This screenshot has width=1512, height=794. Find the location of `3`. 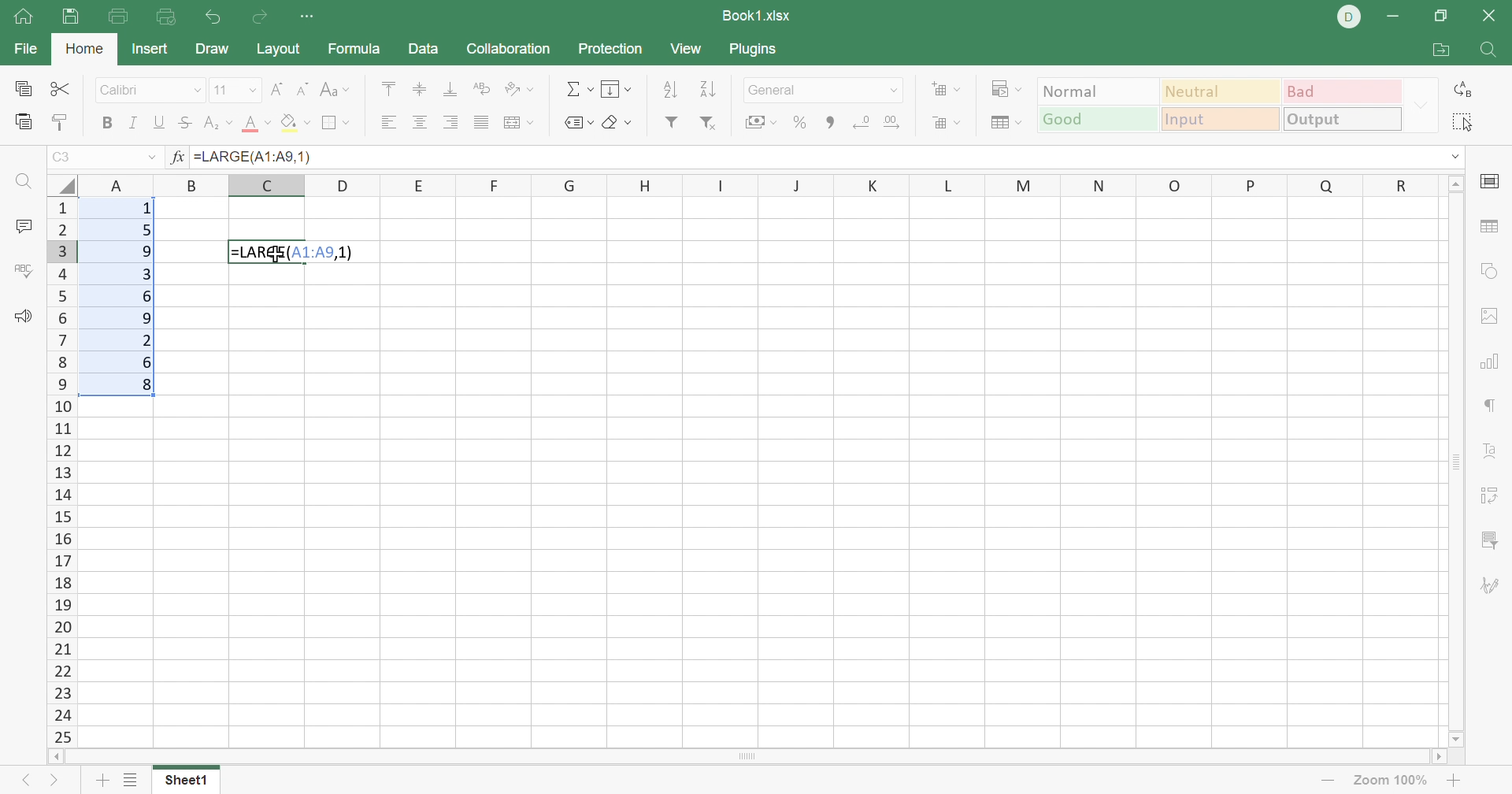

3 is located at coordinates (146, 274).